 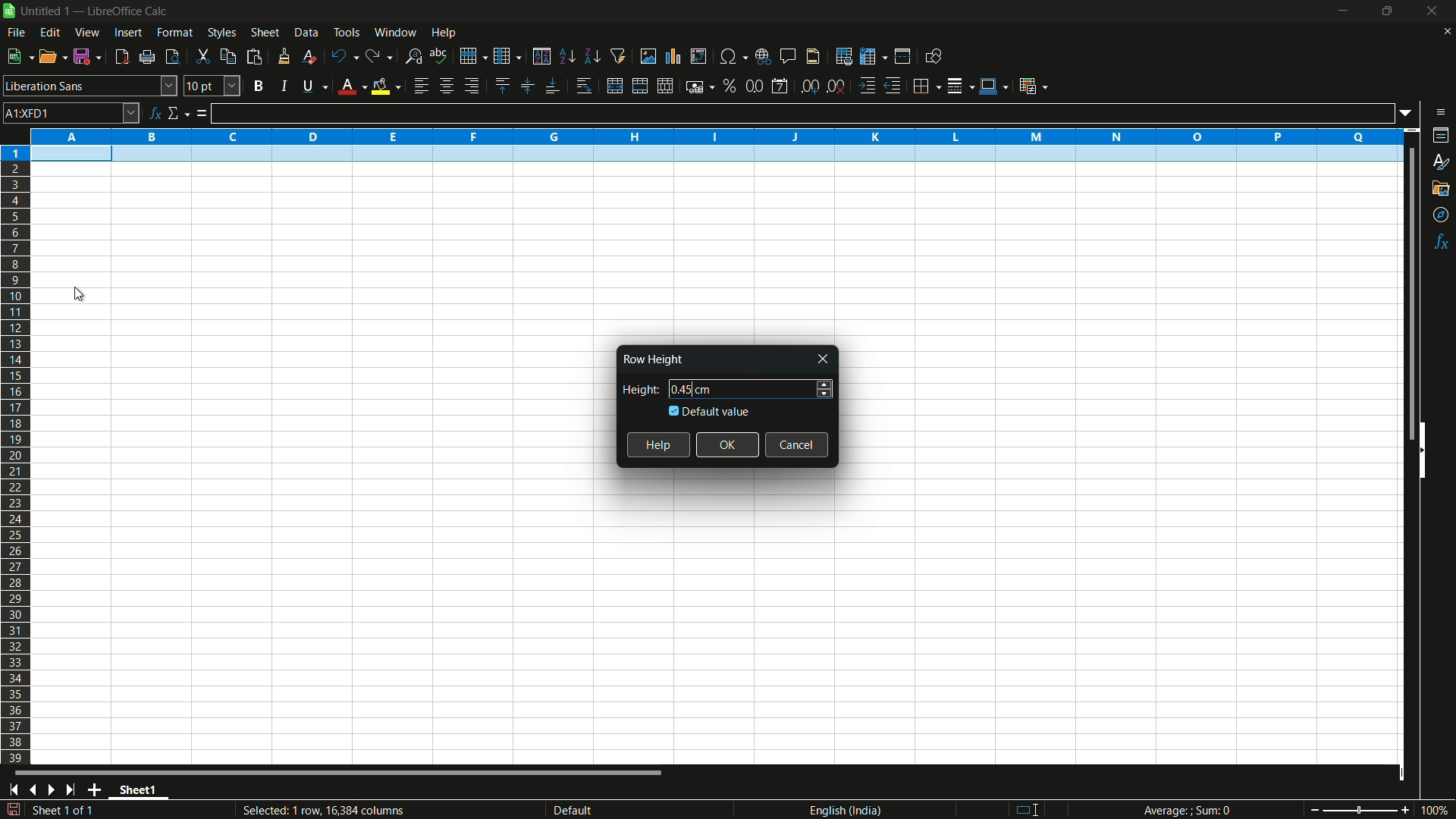 I want to click on functions, so click(x=1442, y=242).